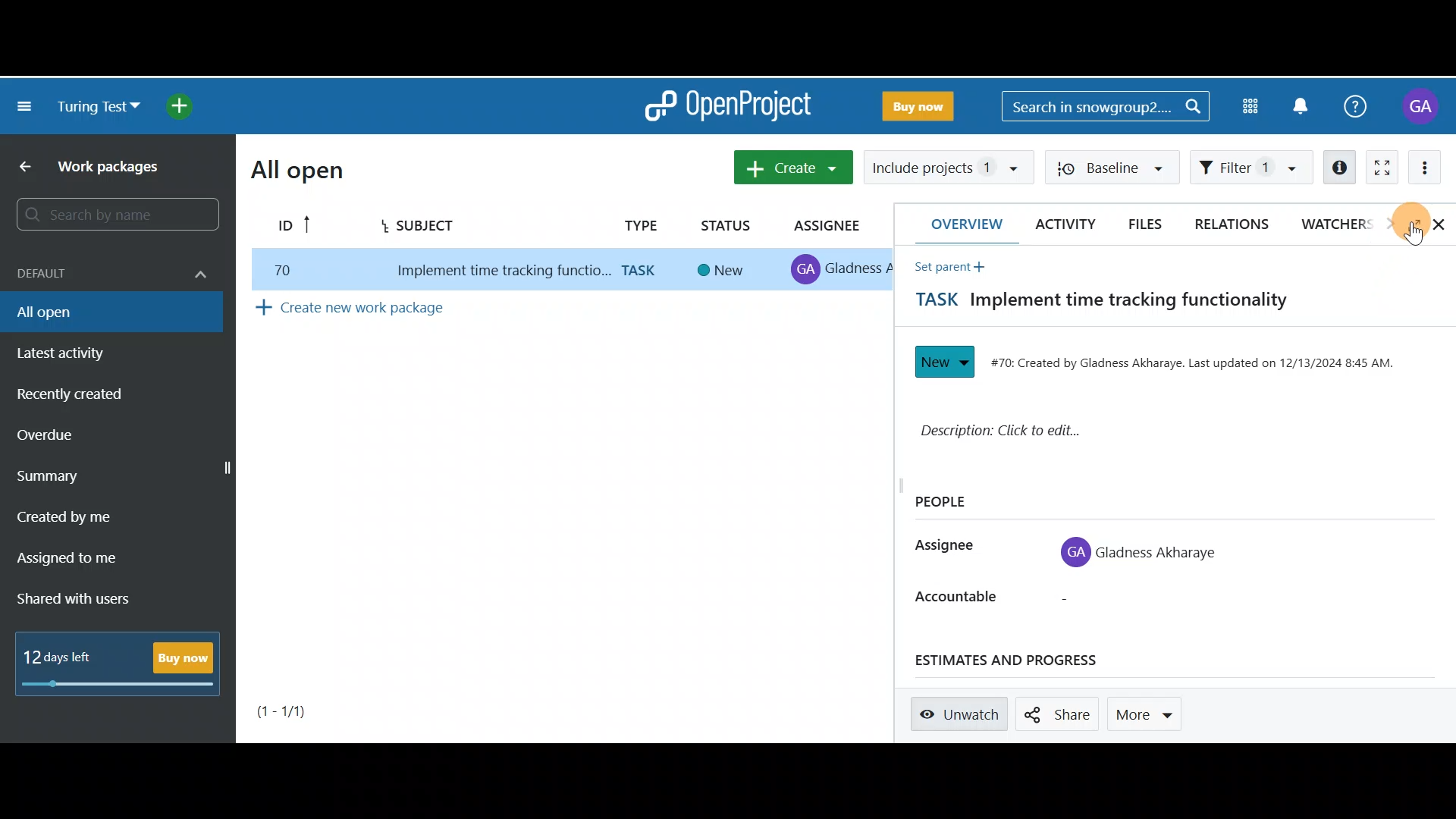 This screenshot has height=819, width=1456. I want to click on Relations, so click(1235, 222).